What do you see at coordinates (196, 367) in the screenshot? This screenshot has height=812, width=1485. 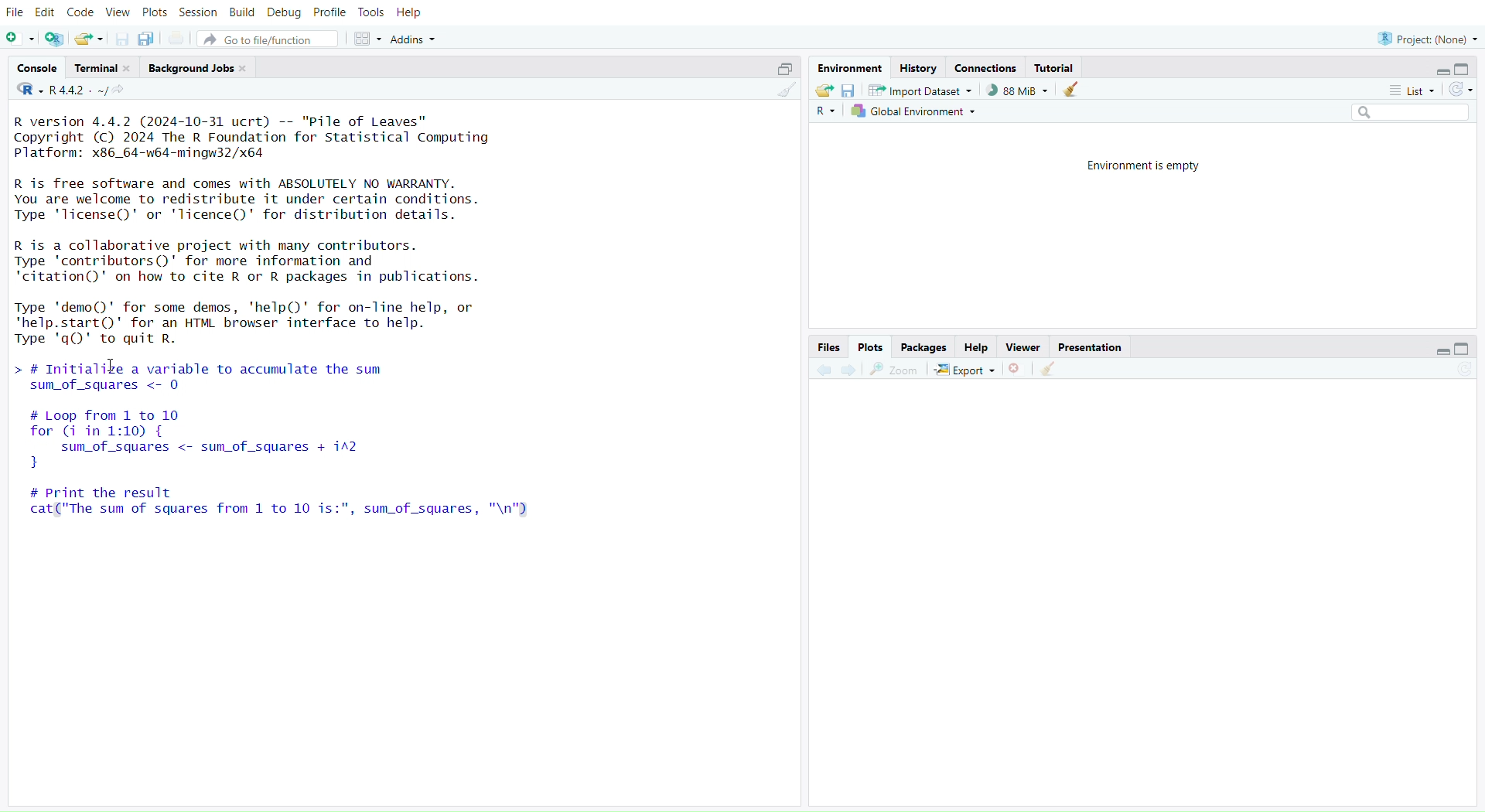 I see `# Initialize a variable to accumulate the sum` at bounding box center [196, 367].